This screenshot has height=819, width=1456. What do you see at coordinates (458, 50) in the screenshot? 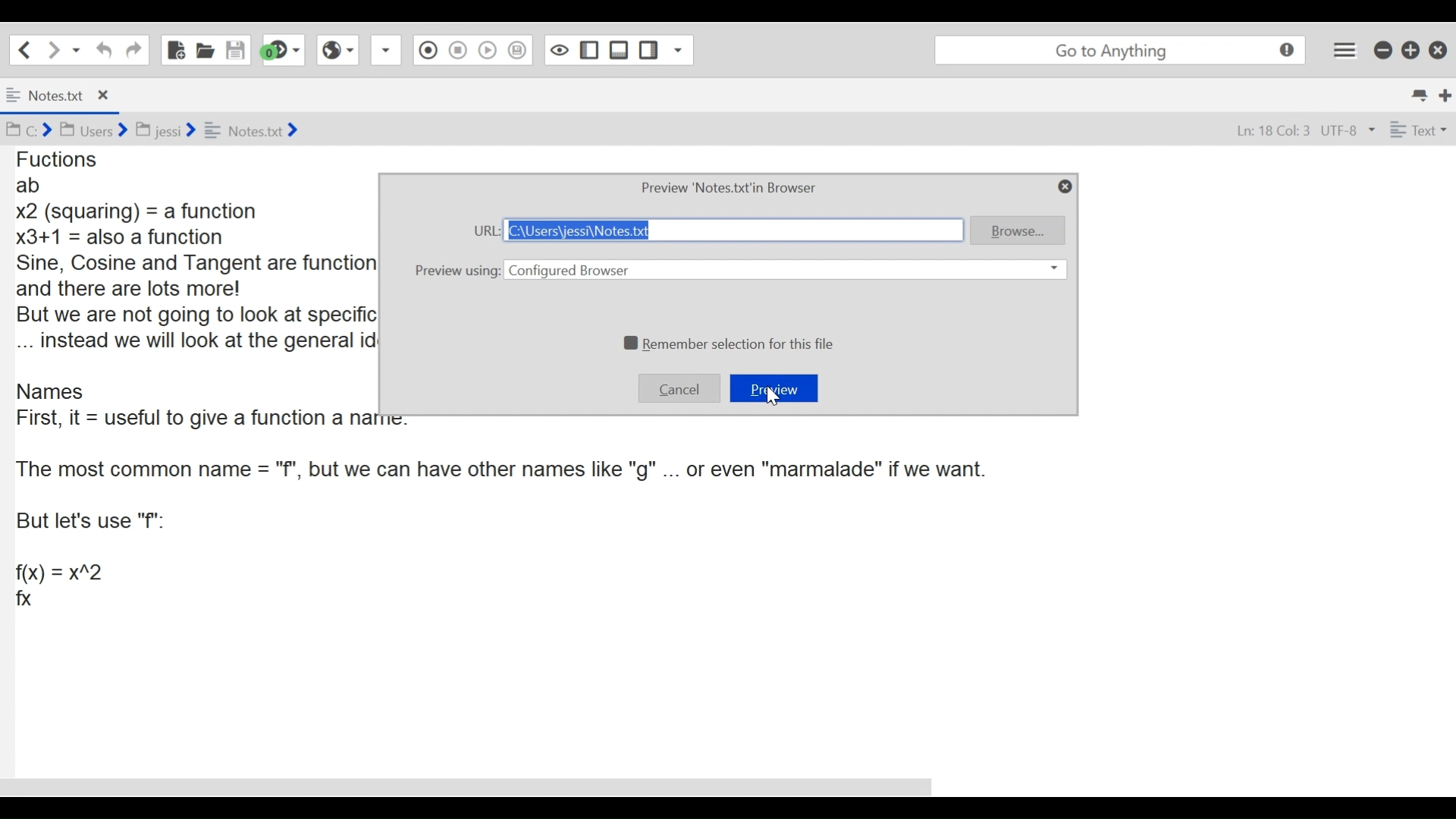
I see `Stop Recording in Macro` at bounding box center [458, 50].